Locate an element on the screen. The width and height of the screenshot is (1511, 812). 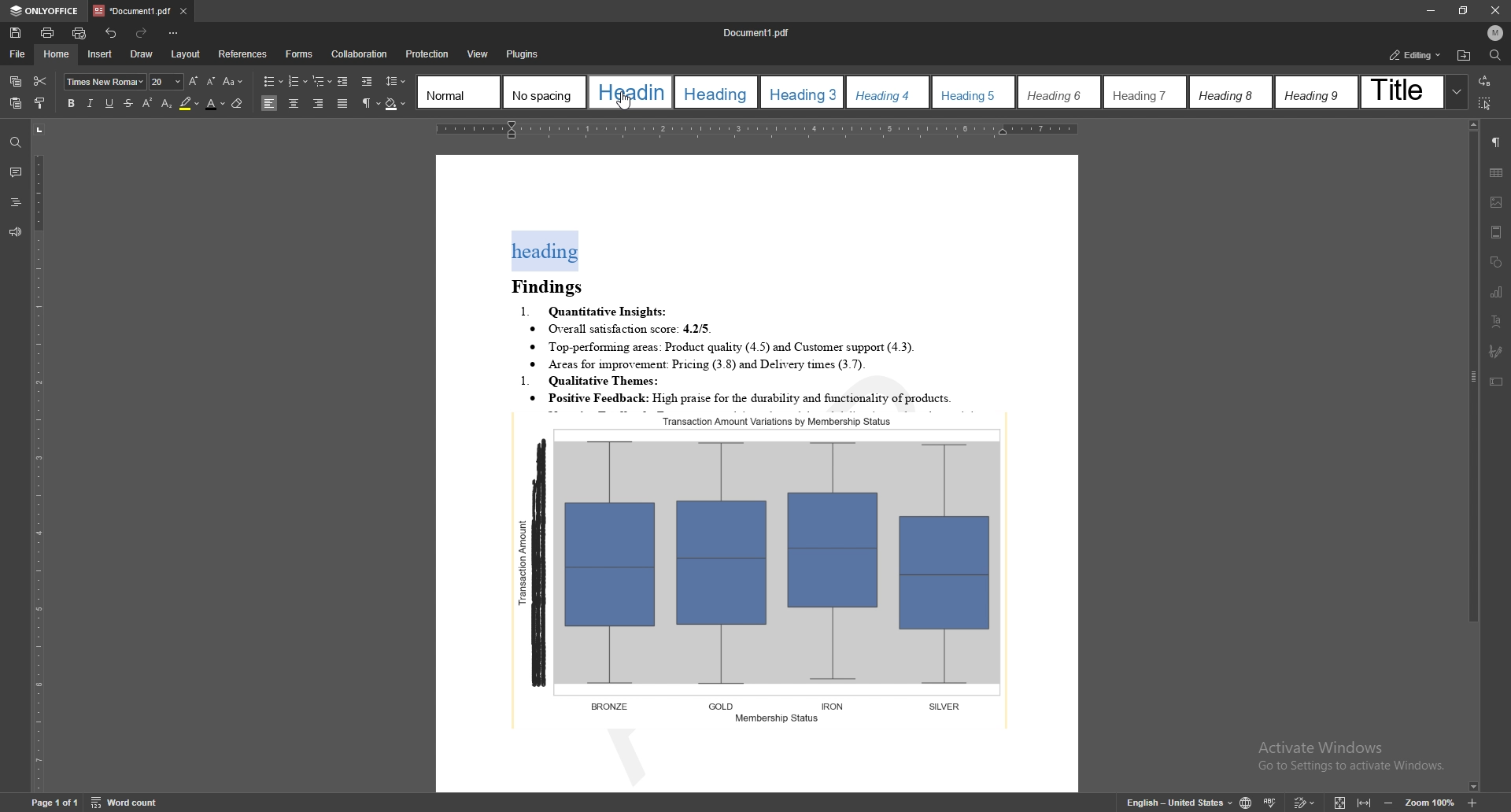
underline is located at coordinates (109, 104).